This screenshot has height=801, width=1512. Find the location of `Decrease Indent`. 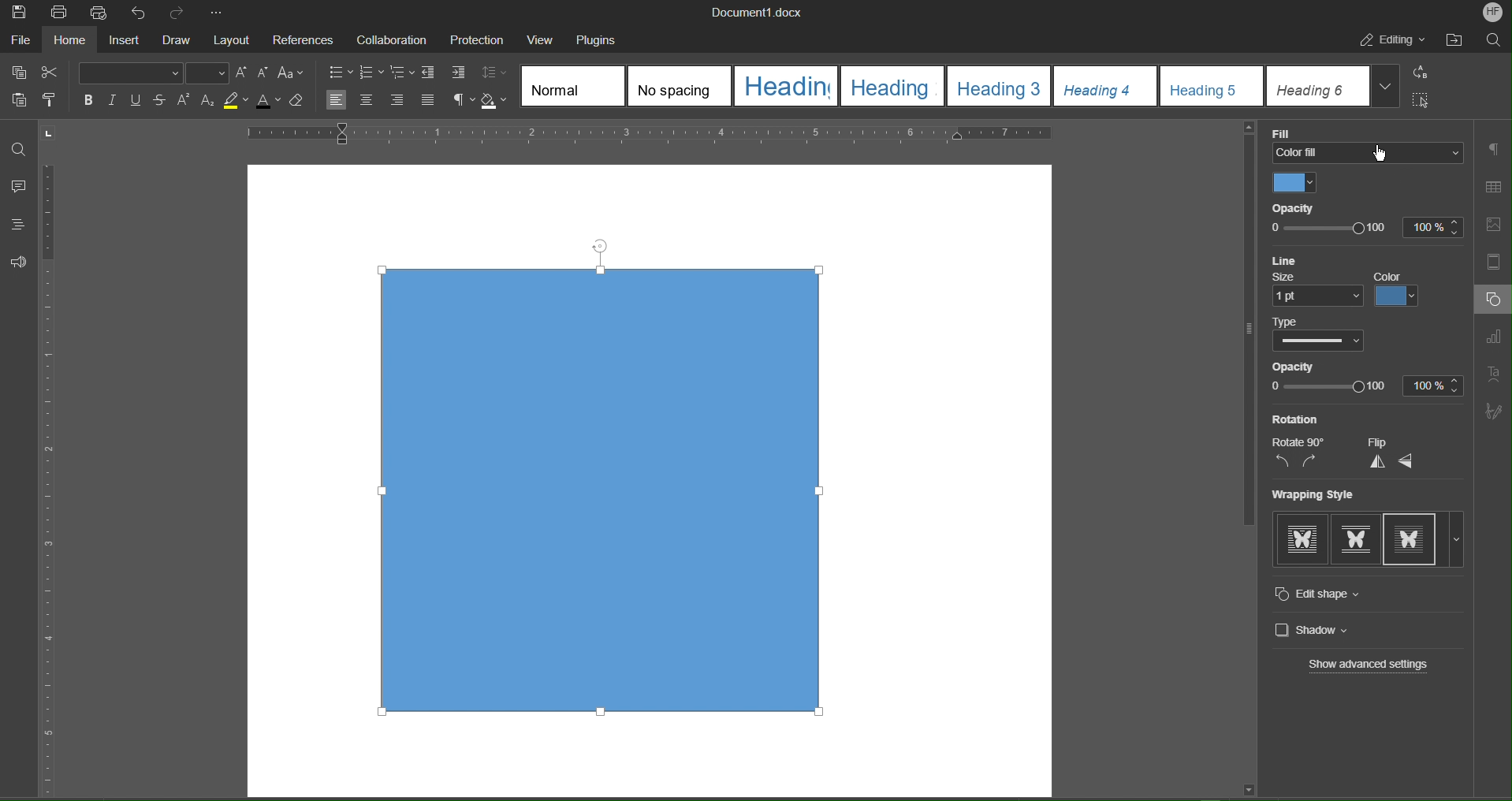

Decrease Indent is located at coordinates (432, 73).